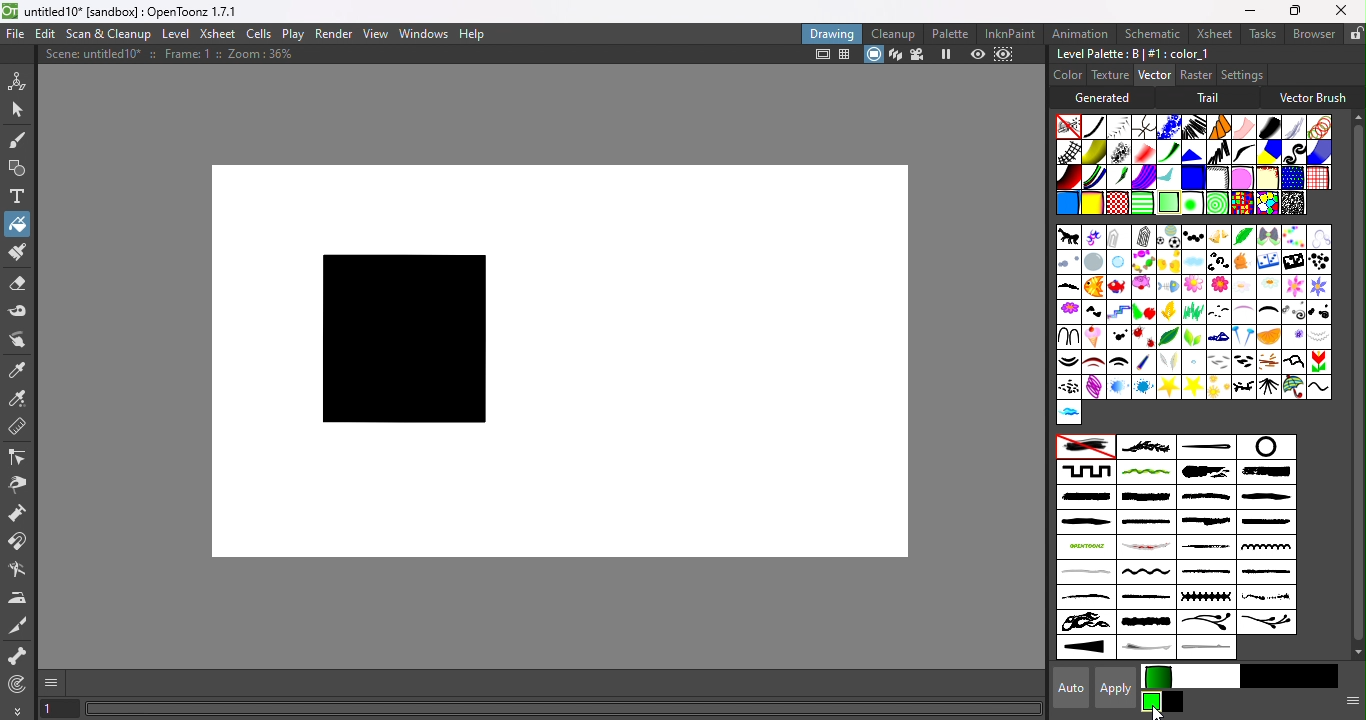  Describe the element at coordinates (1093, 362) in the screenshot. I see `Pare2` at that location.